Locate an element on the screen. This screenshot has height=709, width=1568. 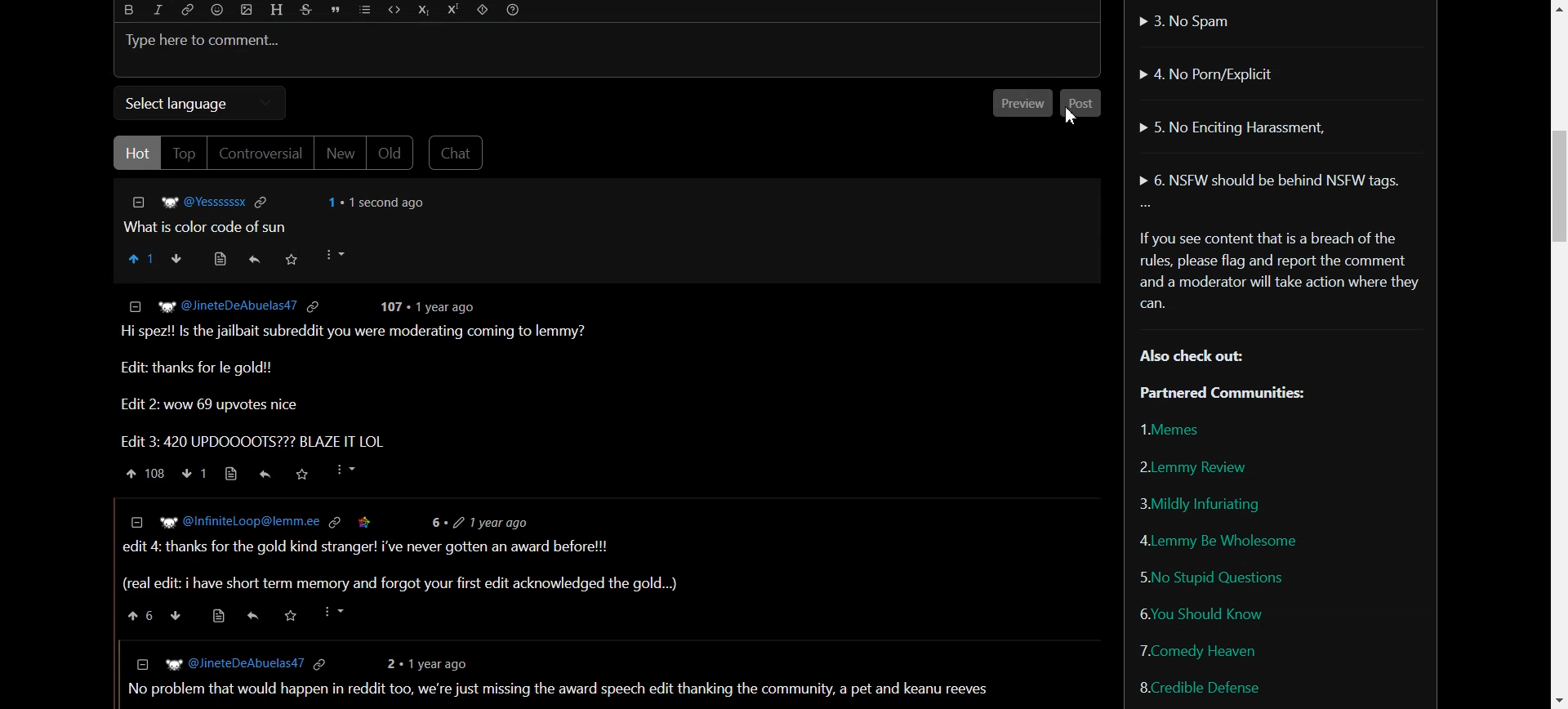
You Should Know is located at coordinates (1202, 613).